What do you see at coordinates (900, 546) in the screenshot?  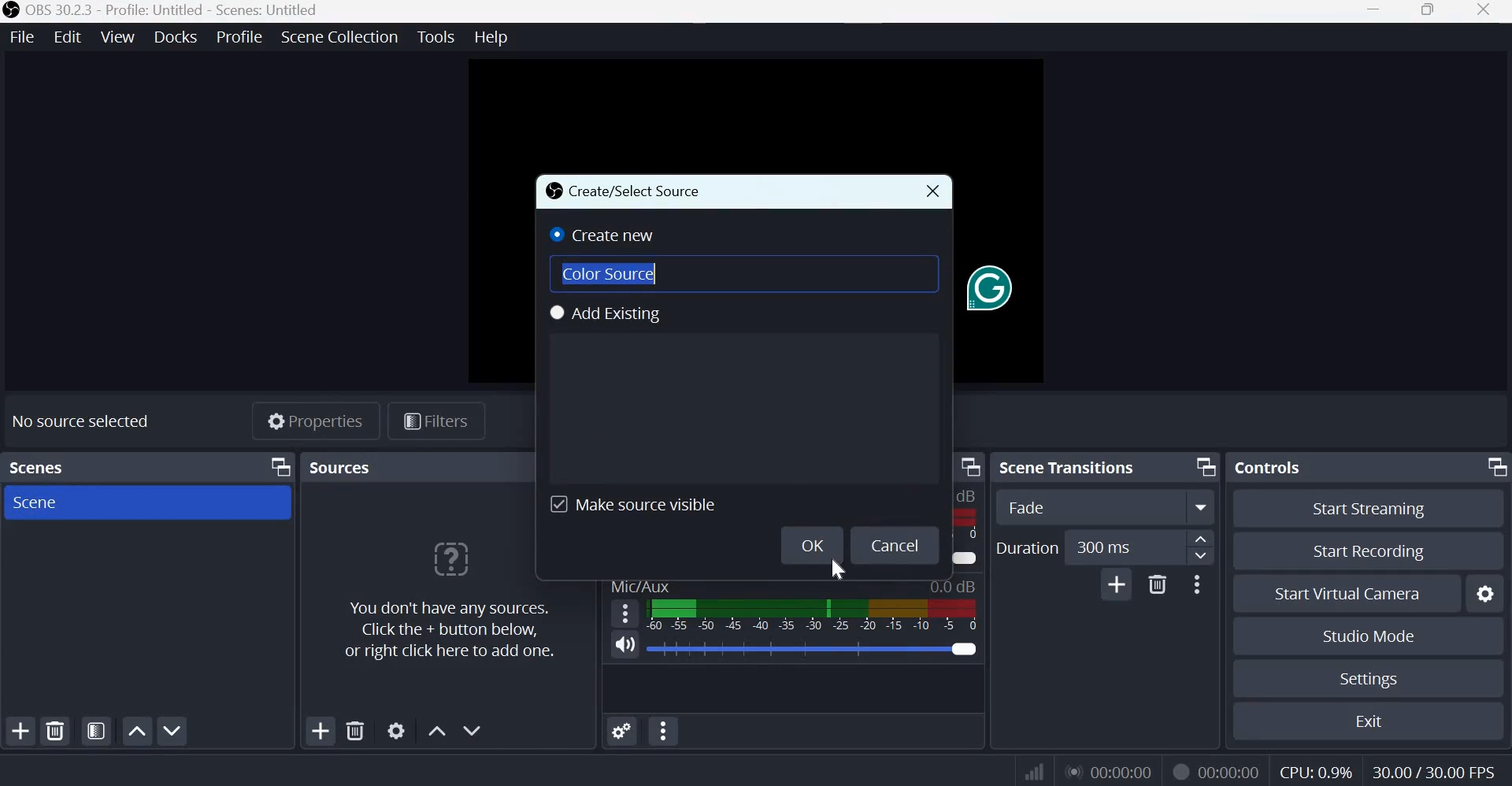 I see `Cancel` at bounding box center [900, 546].